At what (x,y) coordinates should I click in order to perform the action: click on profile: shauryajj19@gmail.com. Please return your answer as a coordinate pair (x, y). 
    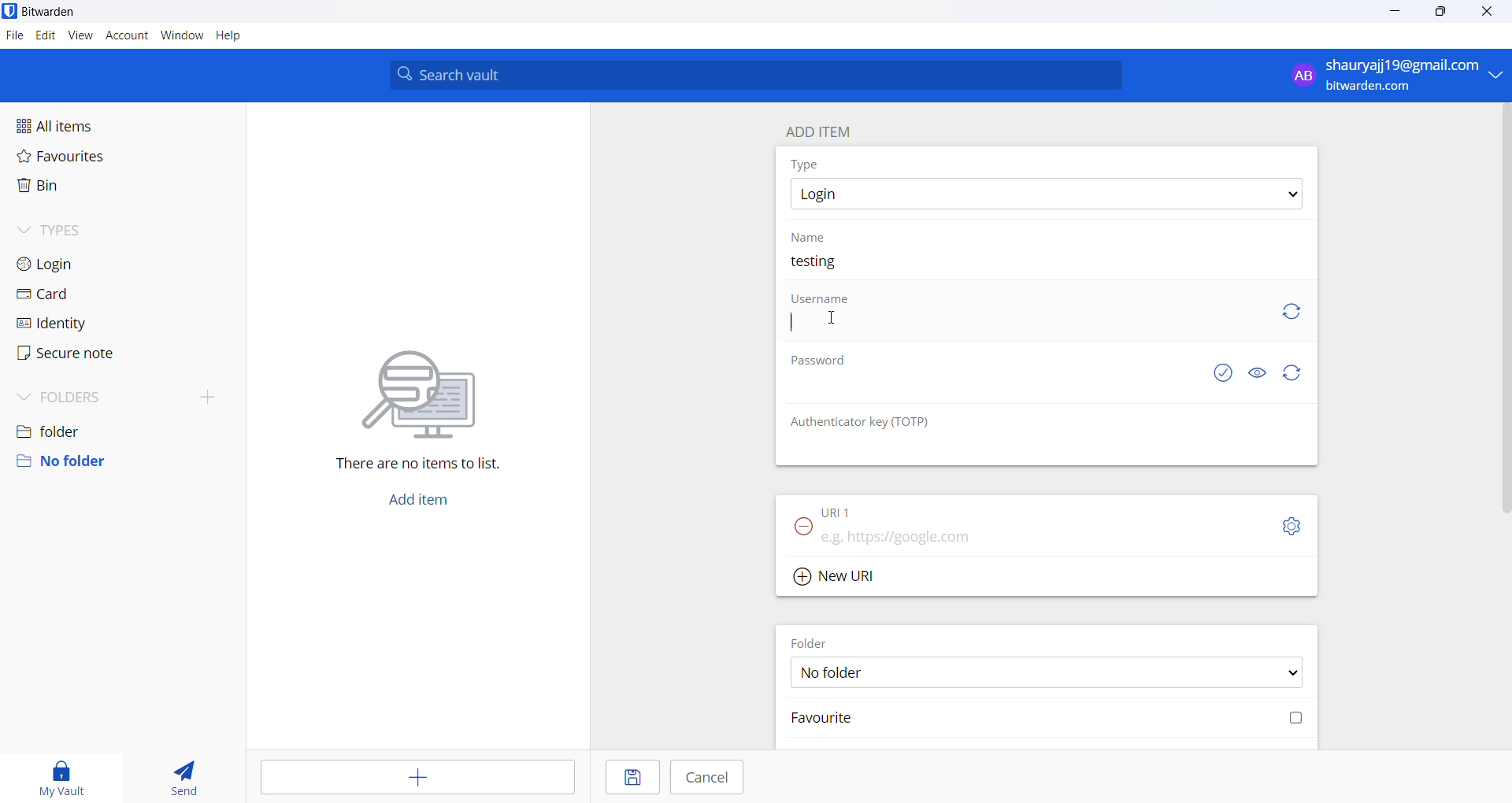
    Looking at the image, I should click on (1392, 75).